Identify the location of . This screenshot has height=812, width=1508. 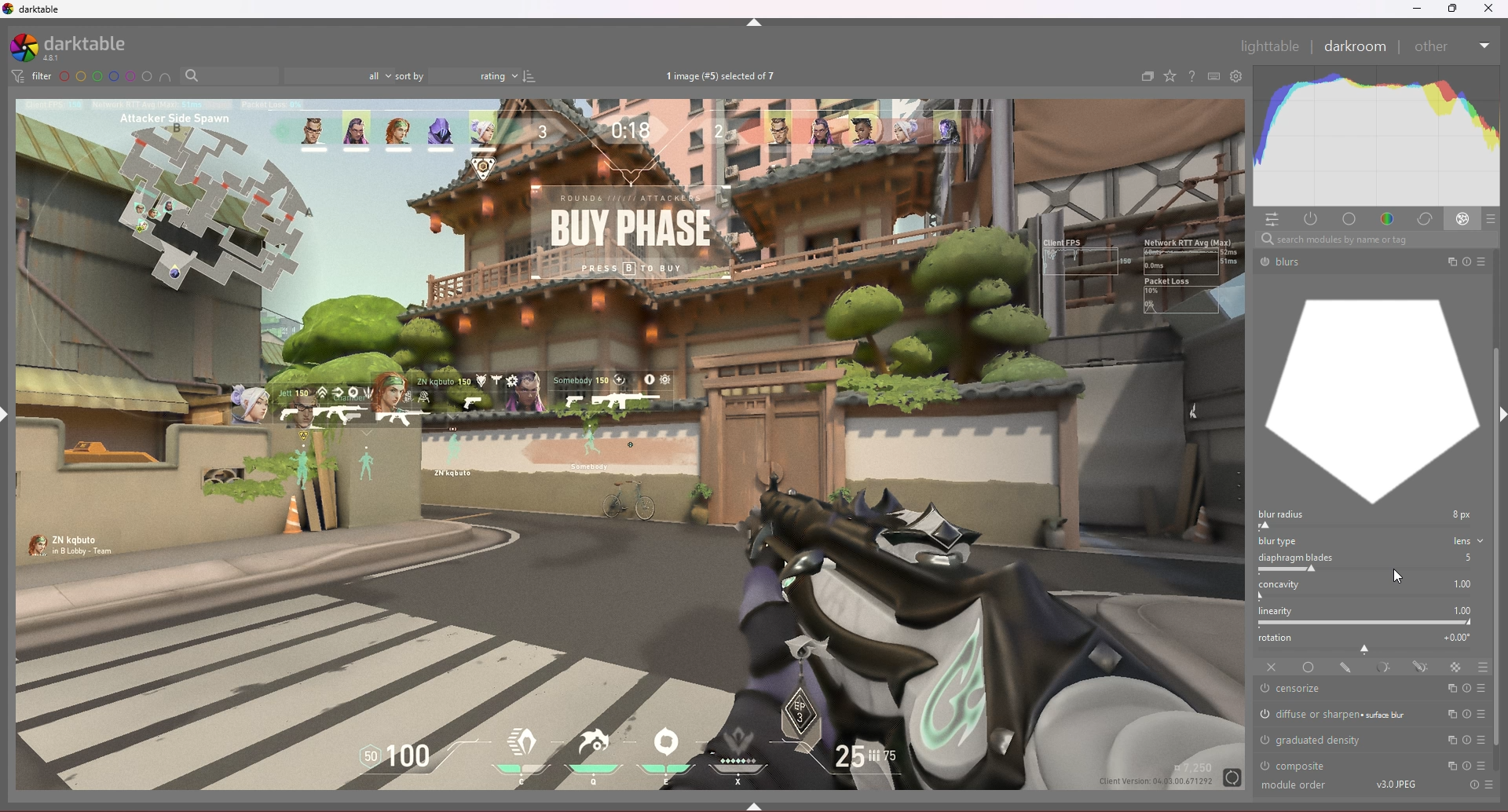
(1489, 262).